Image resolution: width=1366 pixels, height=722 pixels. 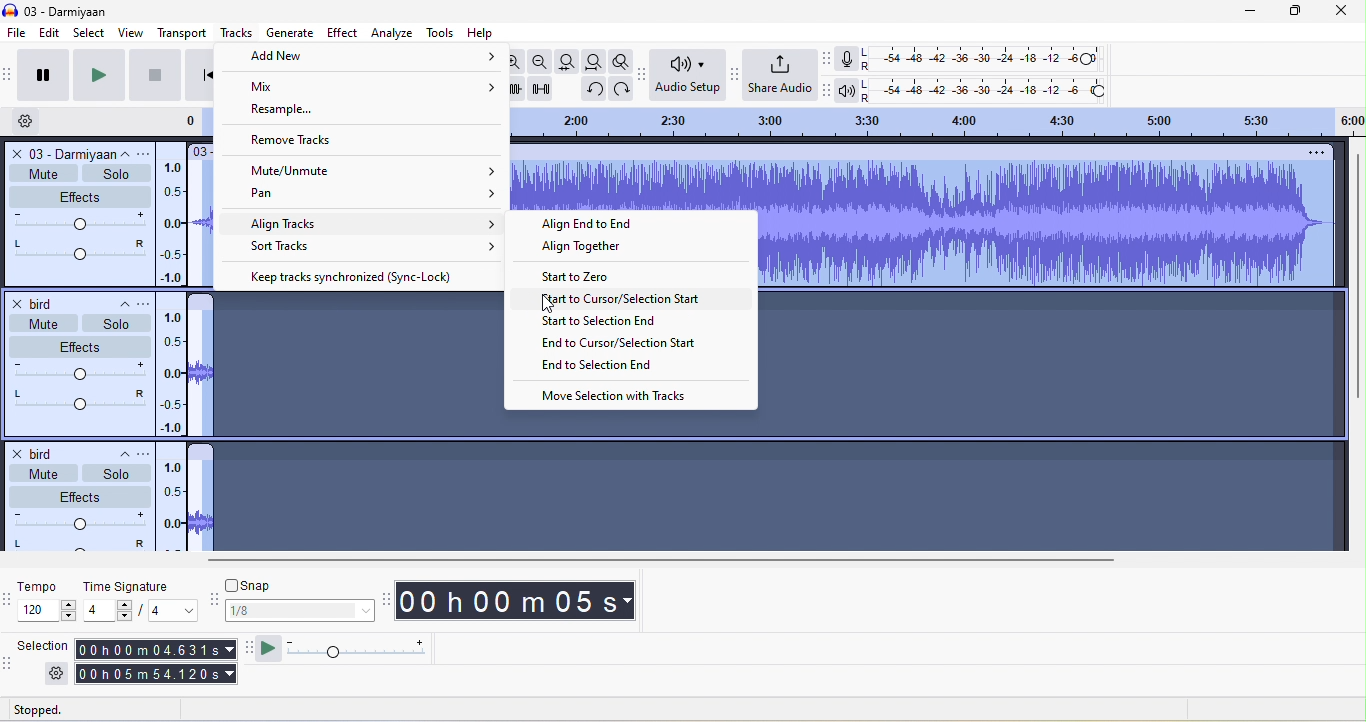 What do you see at coordinates (51, 34) in the screenshot?
I see `edit` at bounding box center [51, 34].